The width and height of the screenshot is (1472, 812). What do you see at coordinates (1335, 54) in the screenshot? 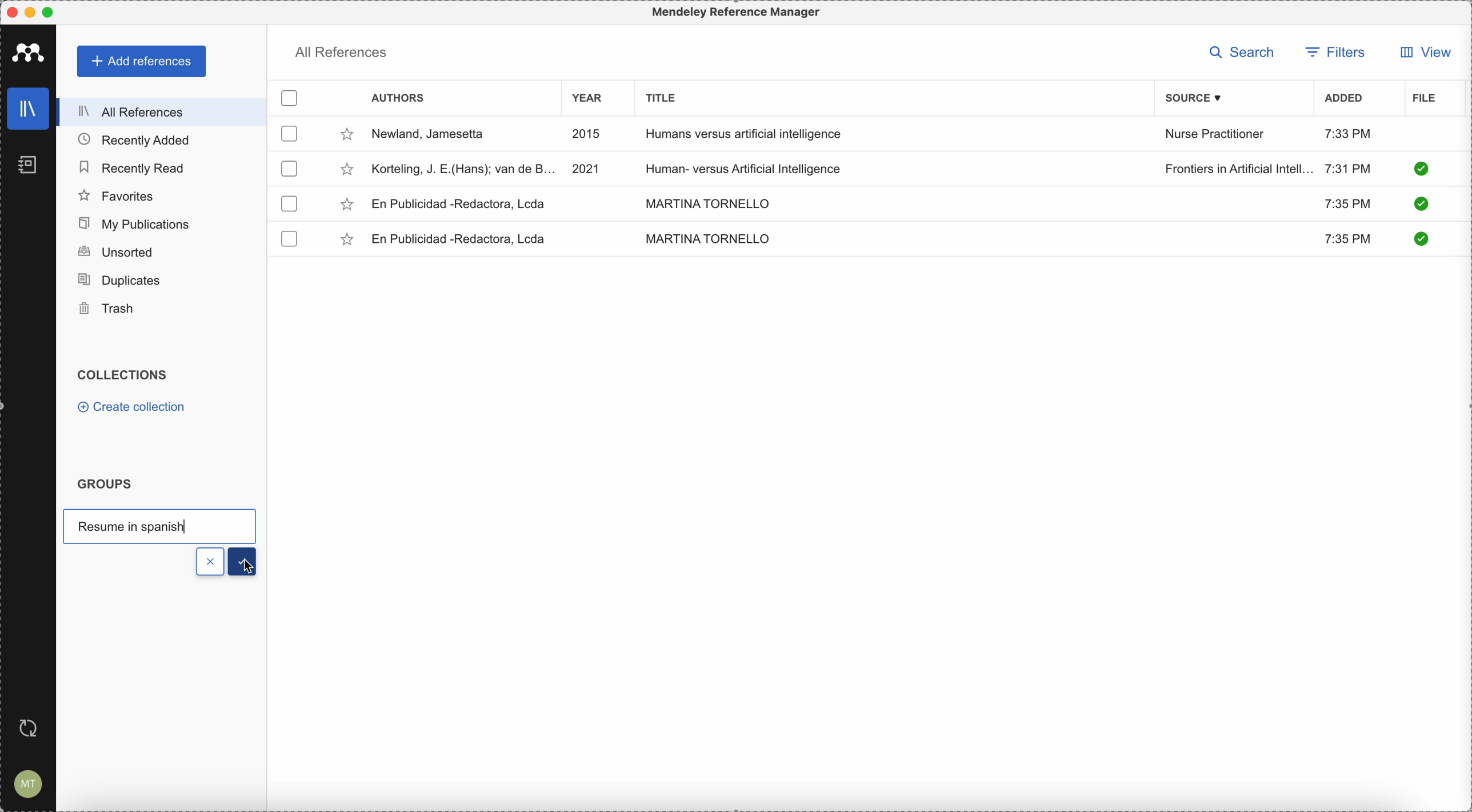
I see `filters` at bounding box center [1335, 54].